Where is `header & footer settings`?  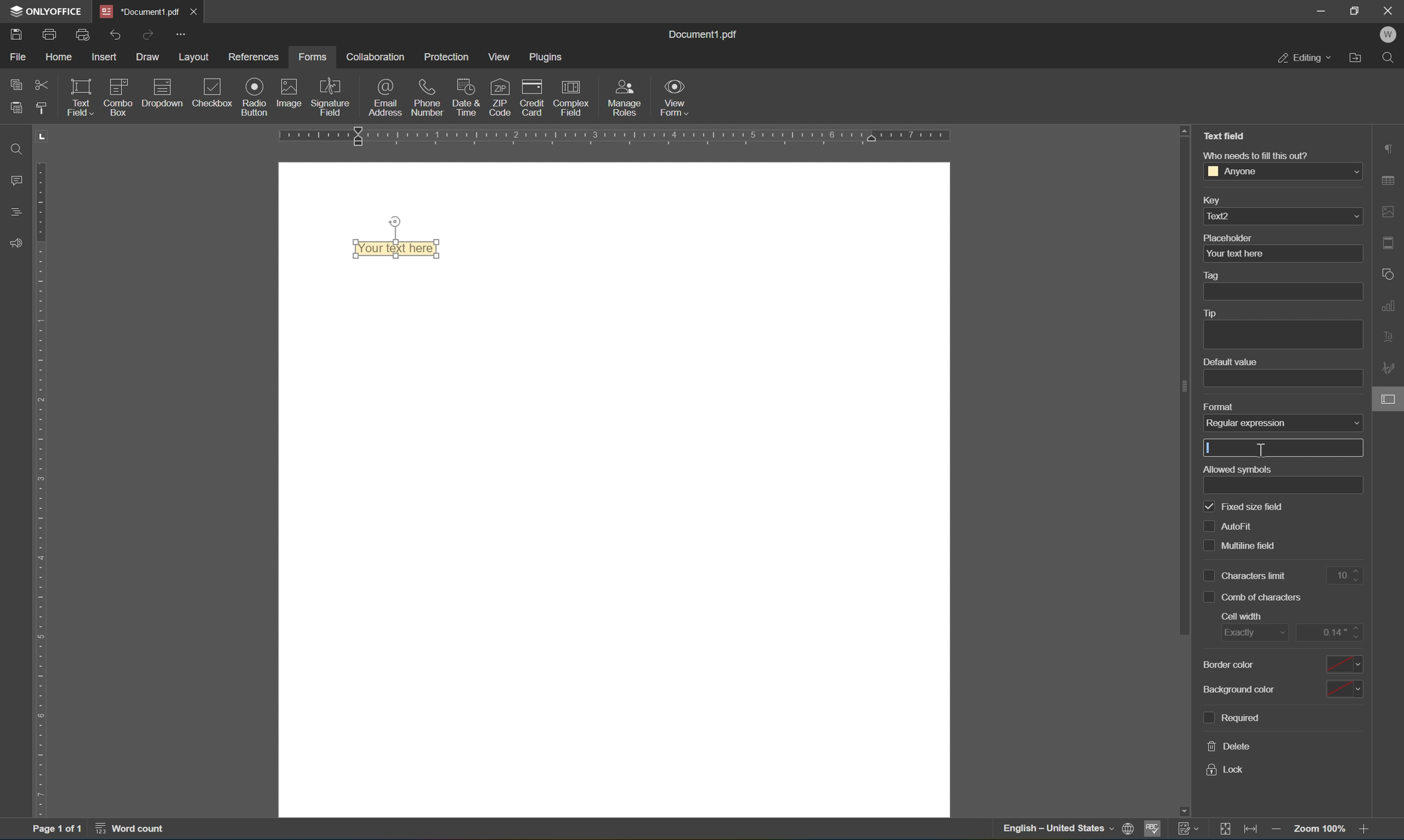
header & footer settings is located at coordinates (1389, 244).